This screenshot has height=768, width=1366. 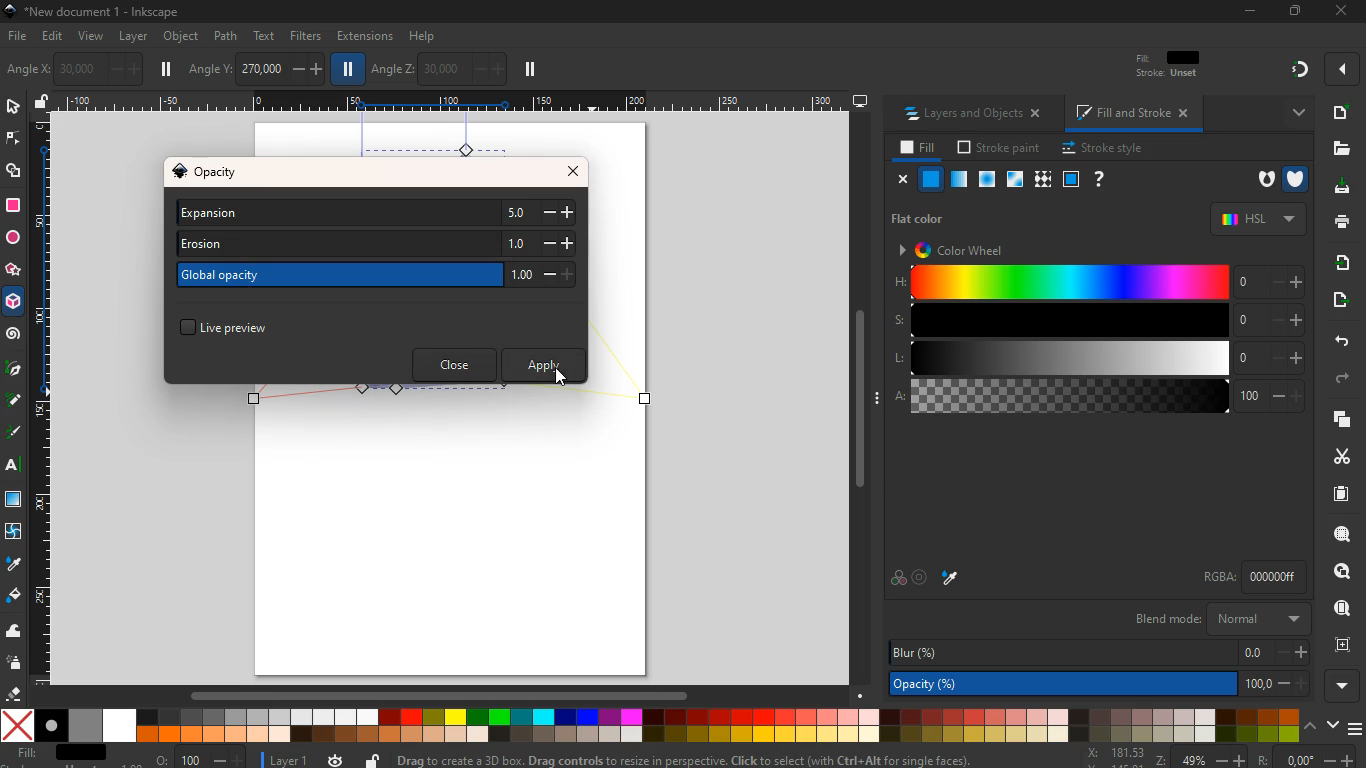 What do you see at coordinates (1332, 494) in the screenshot?
I see `paper` at bounding box center [1332, 494].